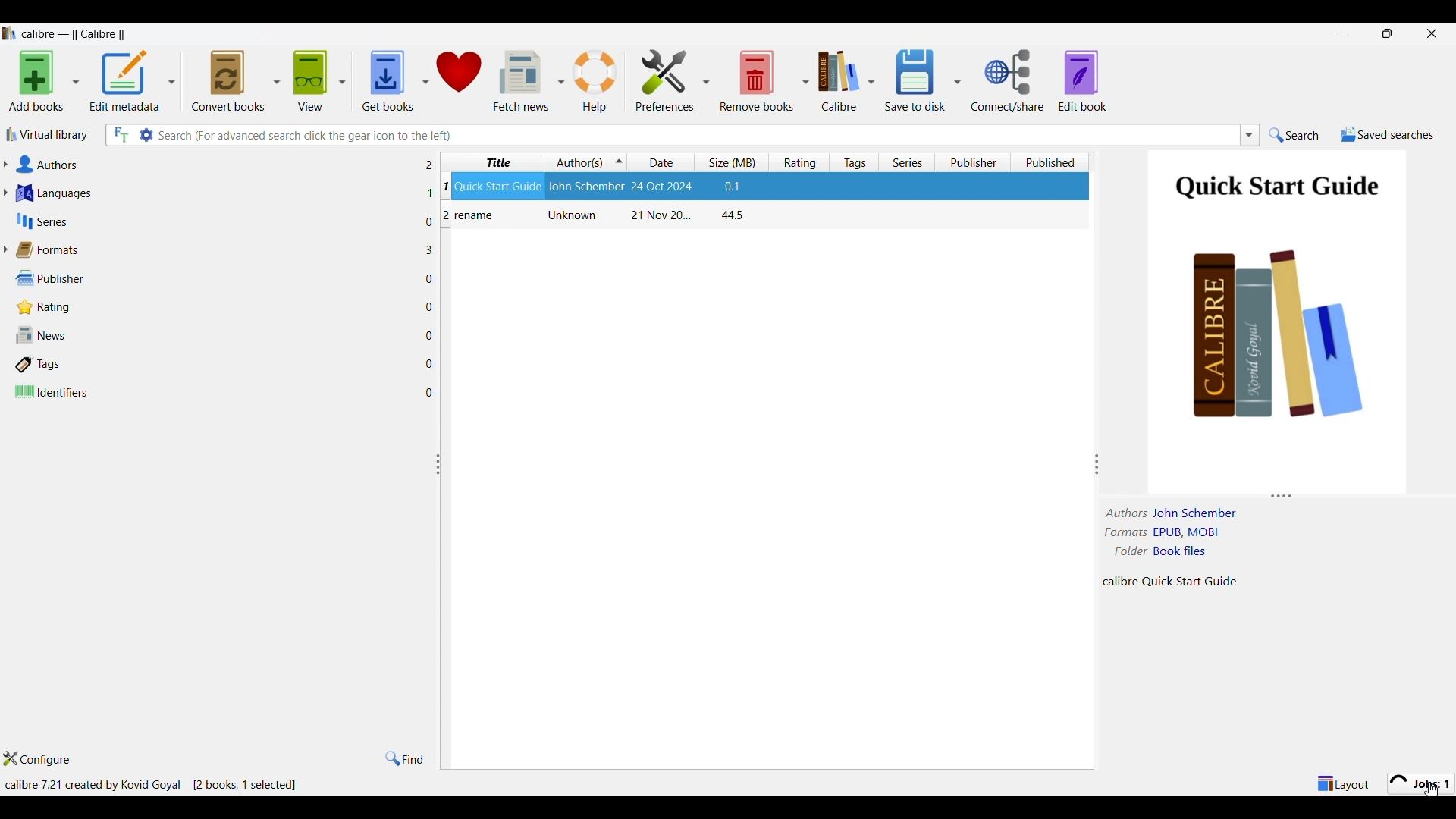 Image resolution: width=1456 pixels, height=819 pixels. I want to click on Details of software, so click(151, 784).